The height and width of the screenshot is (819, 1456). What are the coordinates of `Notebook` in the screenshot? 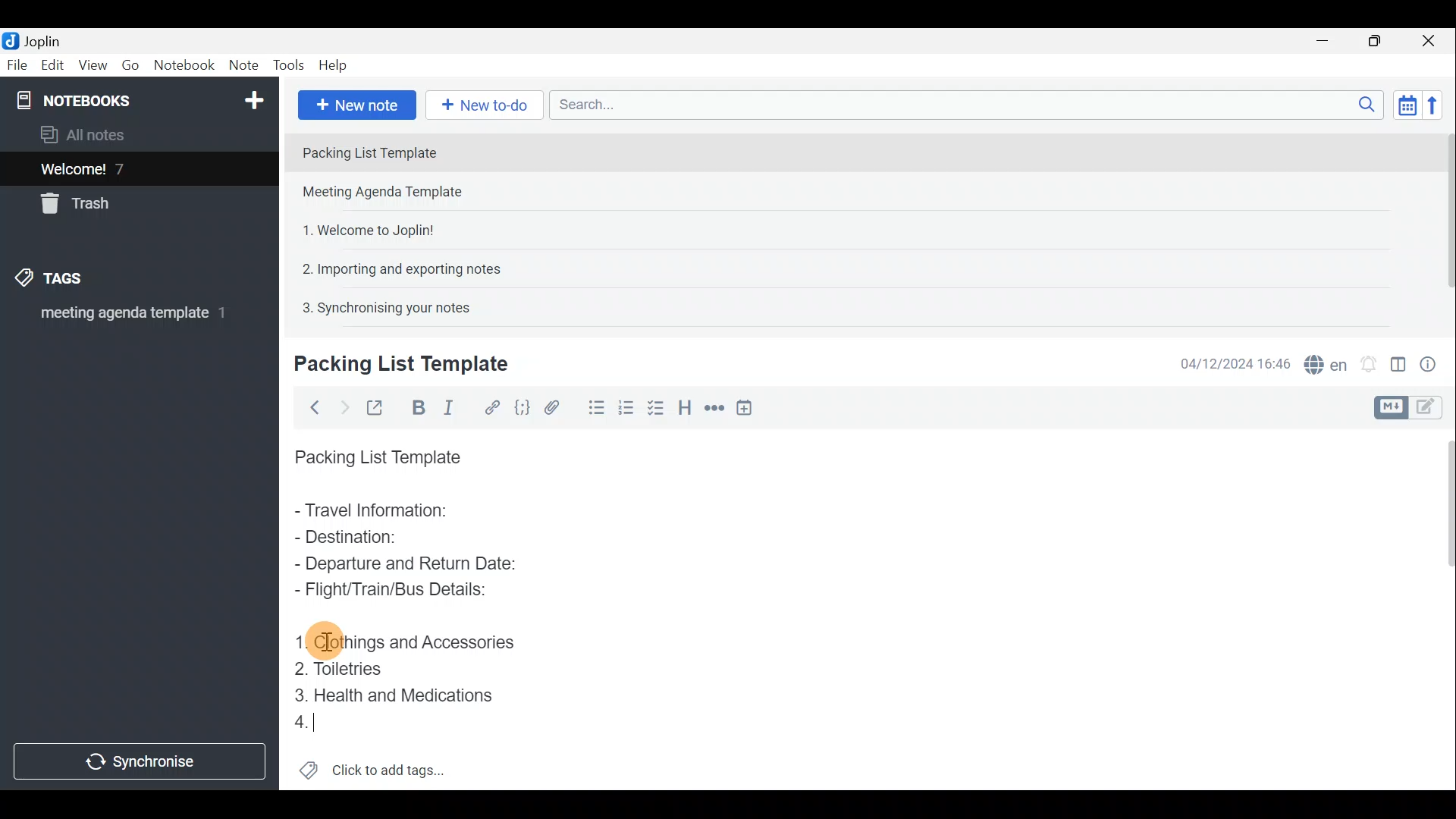 It's located at (184, 67).